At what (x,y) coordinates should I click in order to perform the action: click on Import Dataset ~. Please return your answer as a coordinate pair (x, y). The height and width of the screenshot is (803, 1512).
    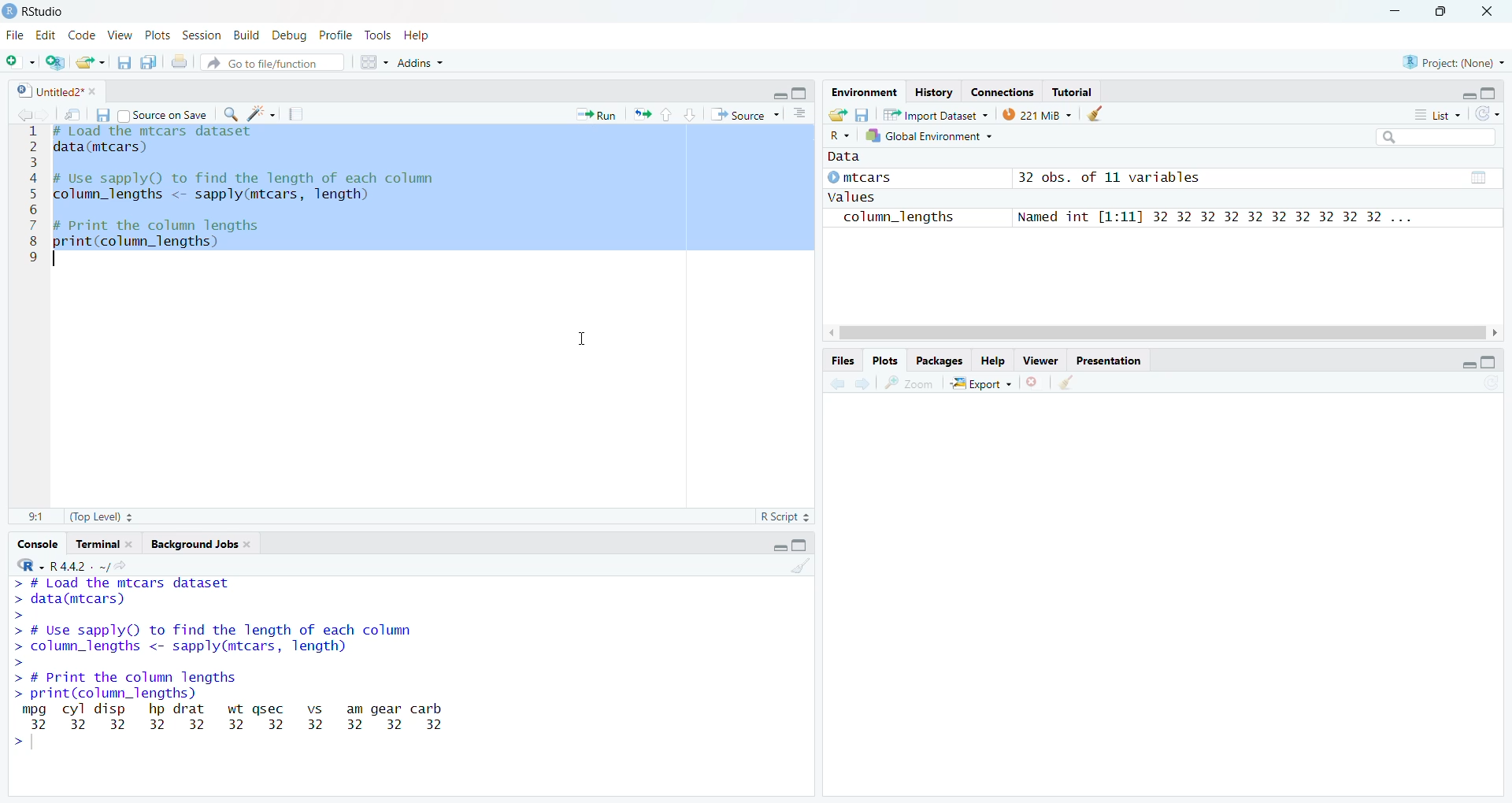
    Looking at the image, I should click on (936, 114).